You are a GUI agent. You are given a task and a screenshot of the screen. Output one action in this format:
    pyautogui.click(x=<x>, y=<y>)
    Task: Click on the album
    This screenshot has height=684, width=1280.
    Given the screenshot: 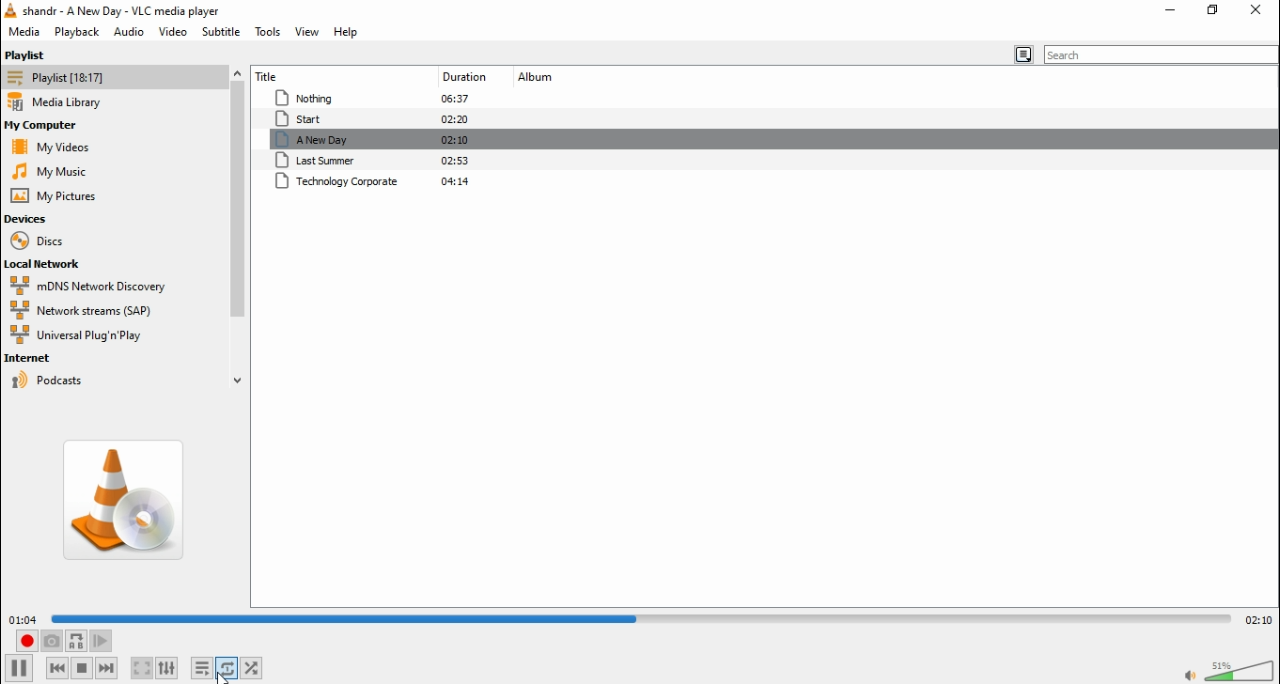 What is the action you would take?
    pyautogui.click(x=537, y=78)
    